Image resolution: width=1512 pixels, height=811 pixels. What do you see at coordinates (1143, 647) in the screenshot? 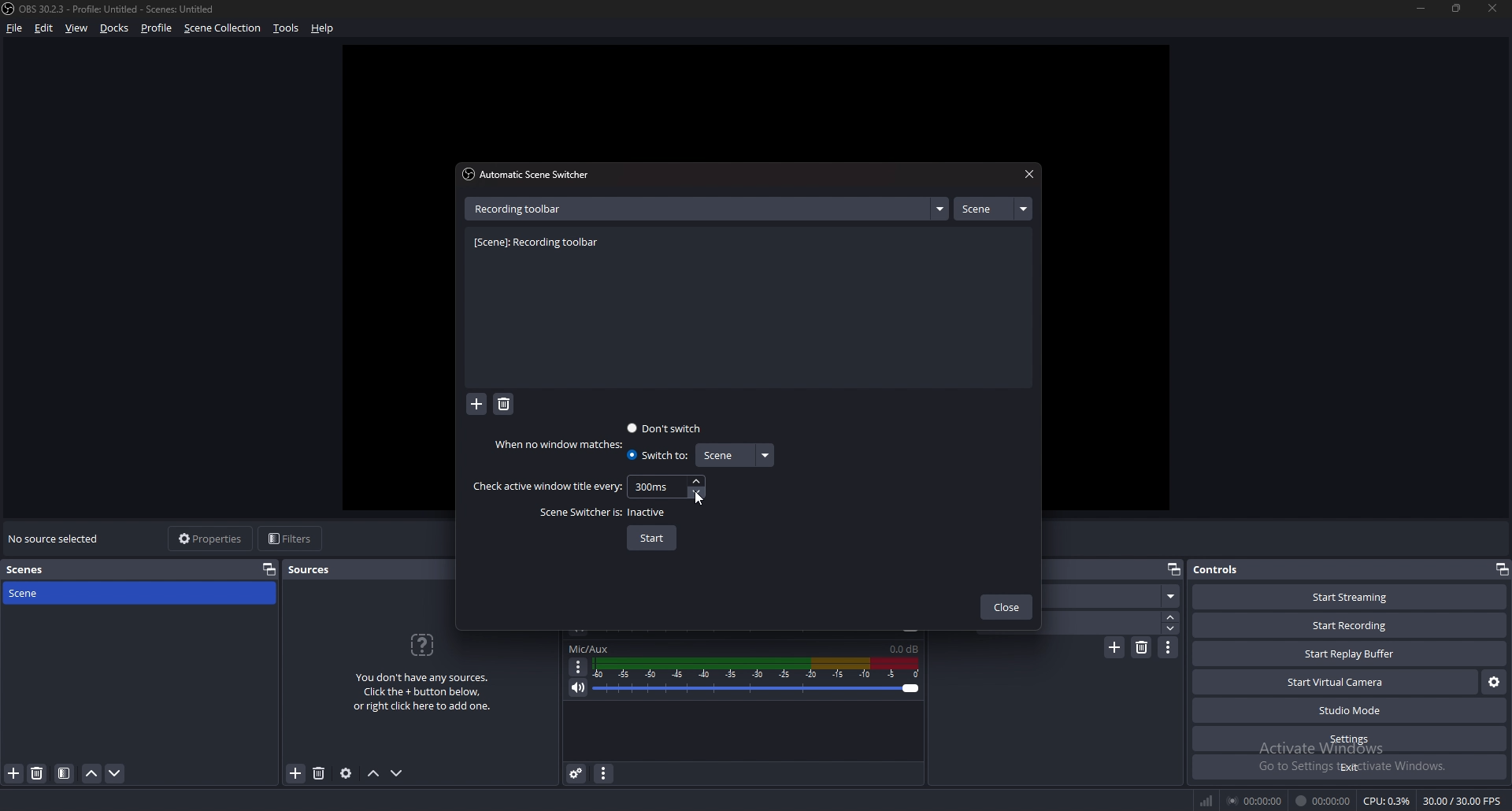
I see `remove transition` at bounding box center [1143, 647].